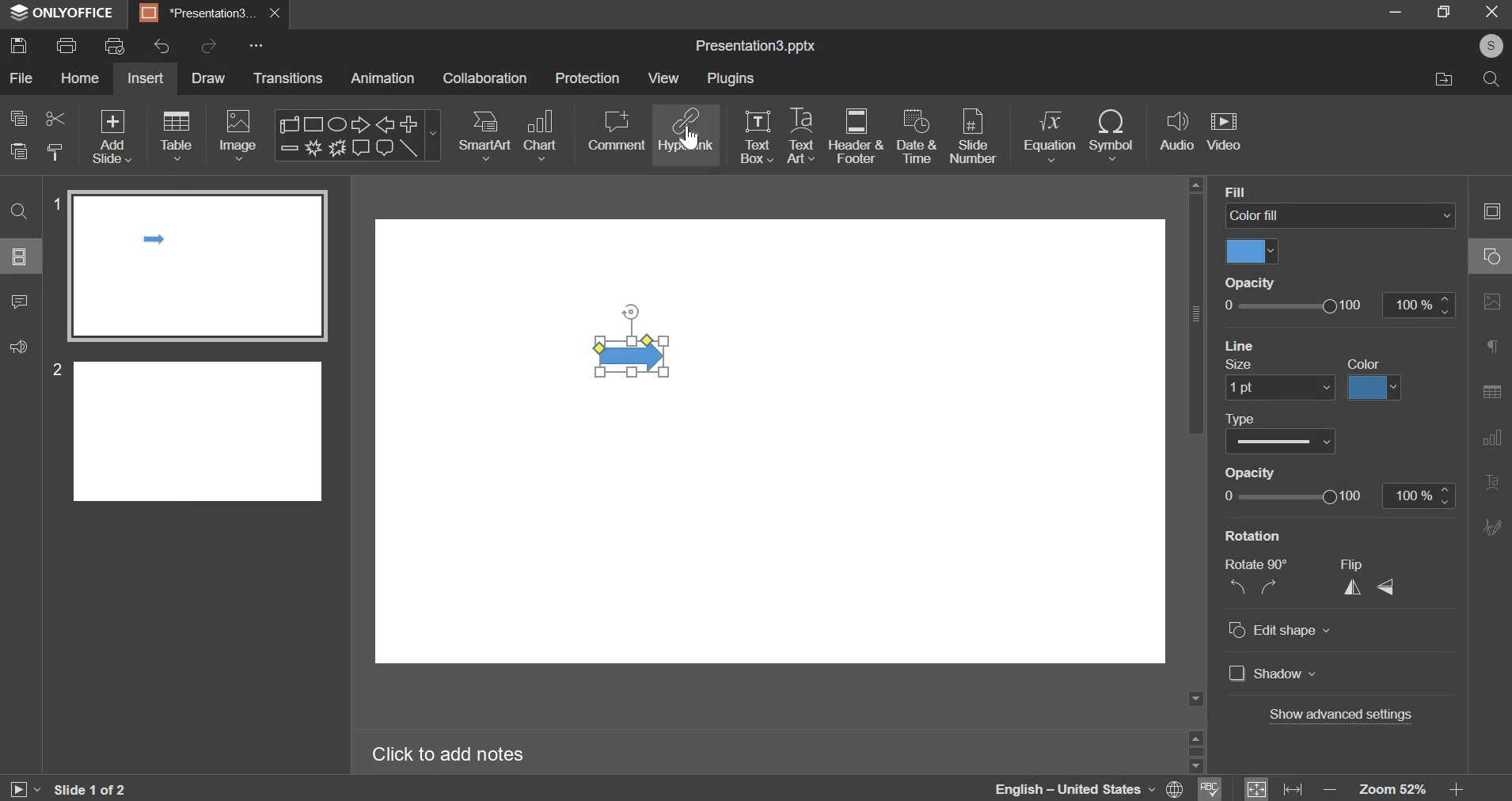  What do you see at coordinates (1295, 306) in the screenshot?
I see `slider from 0 to 100` at bounding box center [1295, 306].